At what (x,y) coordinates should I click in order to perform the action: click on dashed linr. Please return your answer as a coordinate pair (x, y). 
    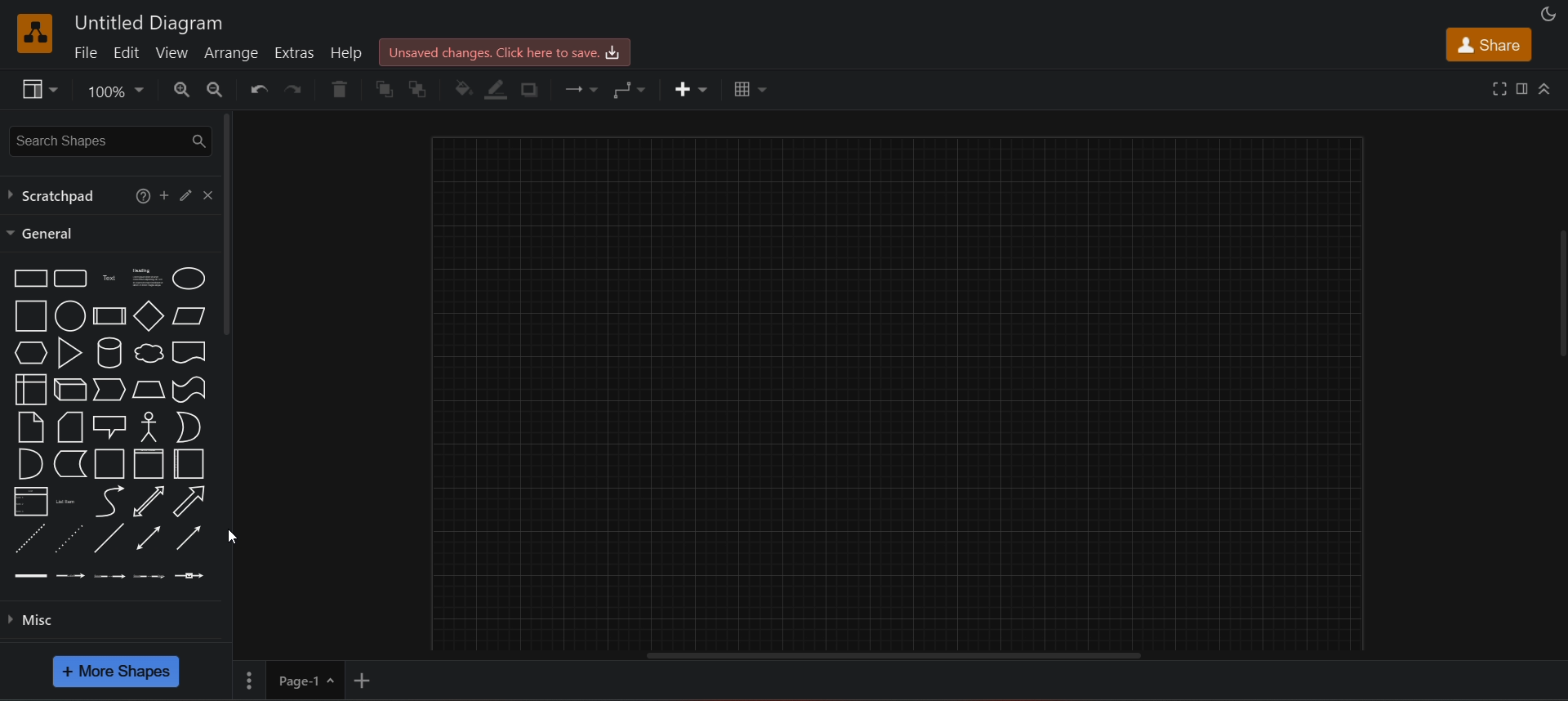
    Looking at the image, I should click on (30, 539).